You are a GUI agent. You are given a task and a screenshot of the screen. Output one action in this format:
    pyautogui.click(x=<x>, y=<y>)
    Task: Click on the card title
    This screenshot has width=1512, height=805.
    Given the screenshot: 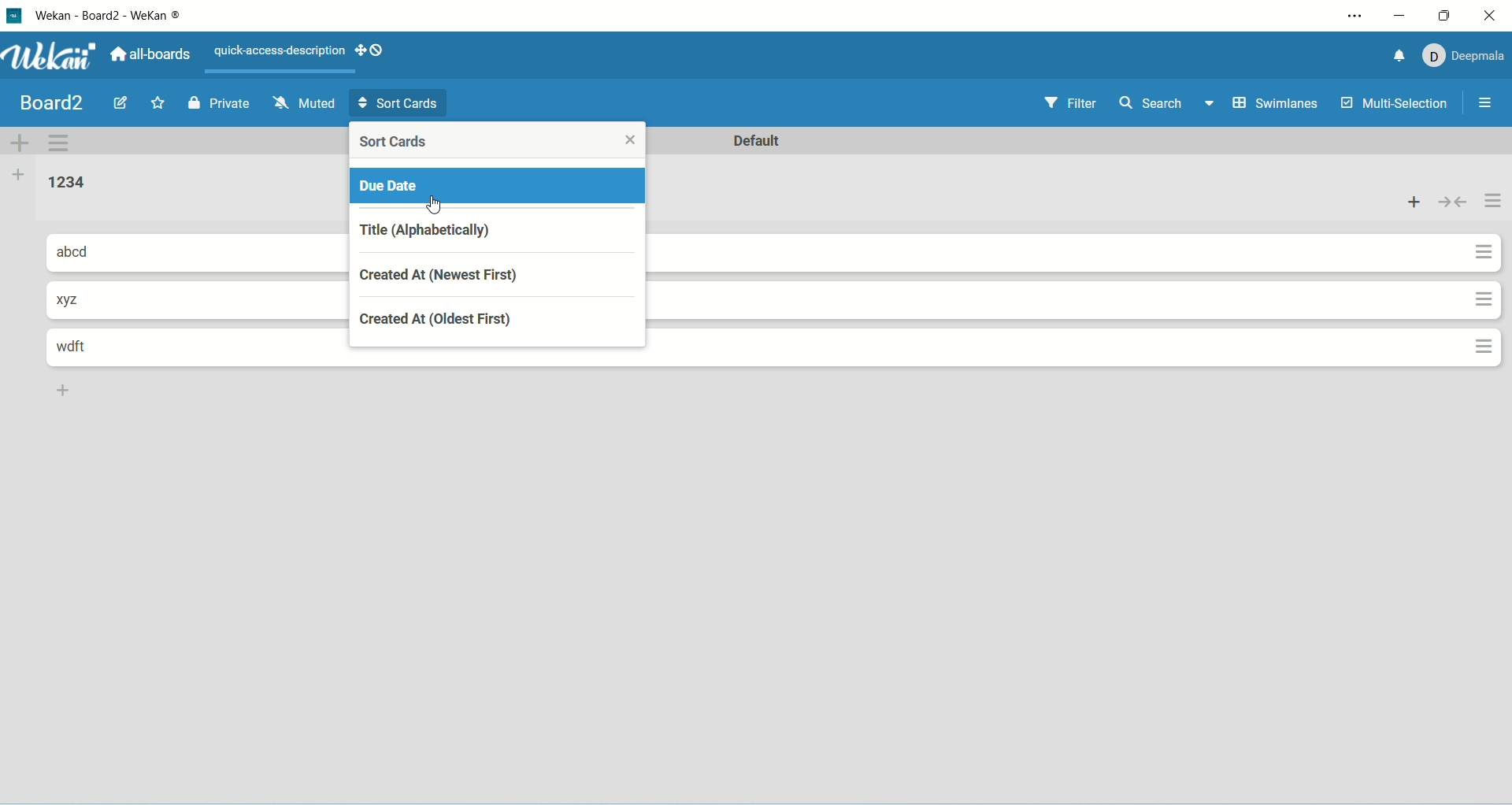 What is the action you would take?
    pyautogui.click(x=84, y=349)
    